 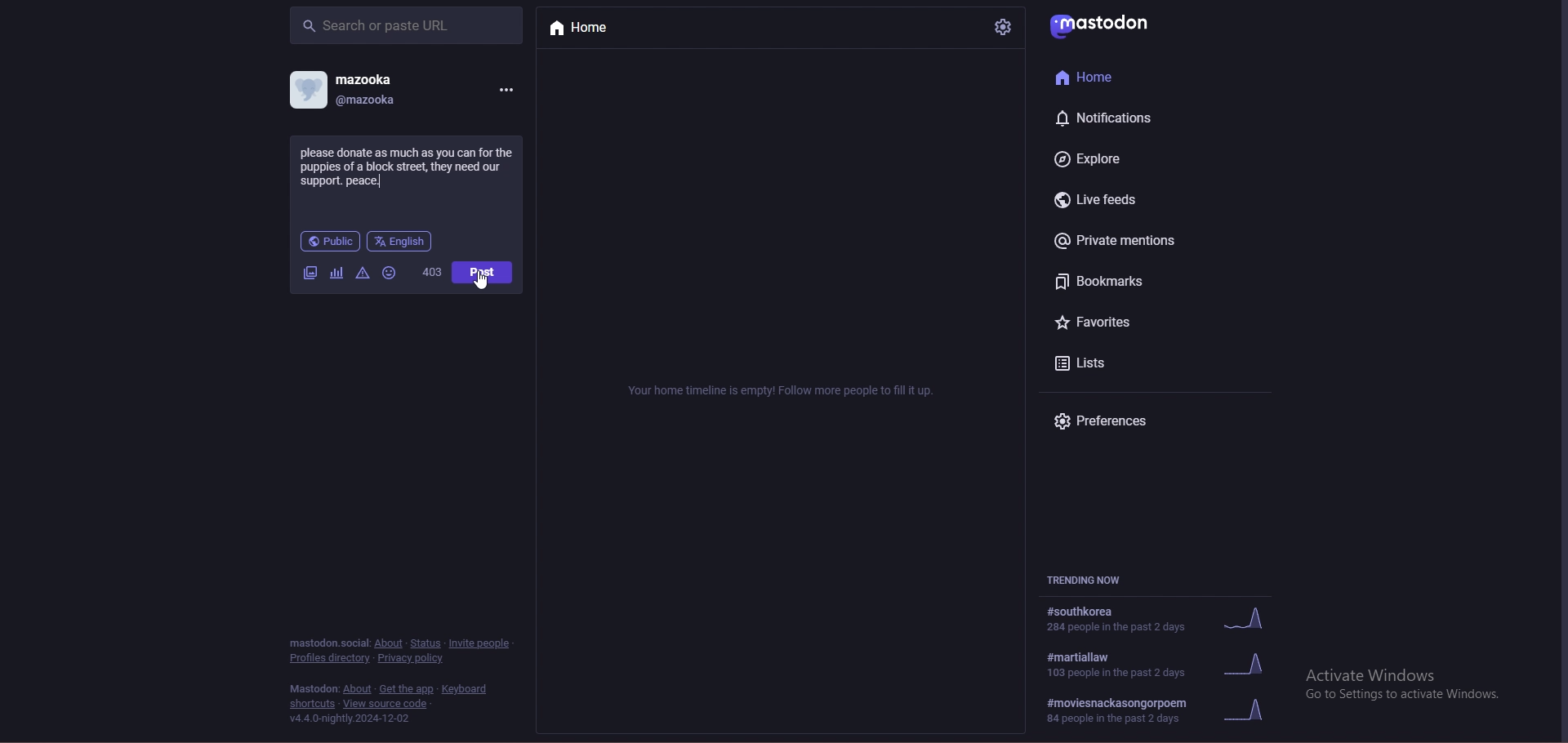 I want to click on profiles directory, so click(x=329, y=658).